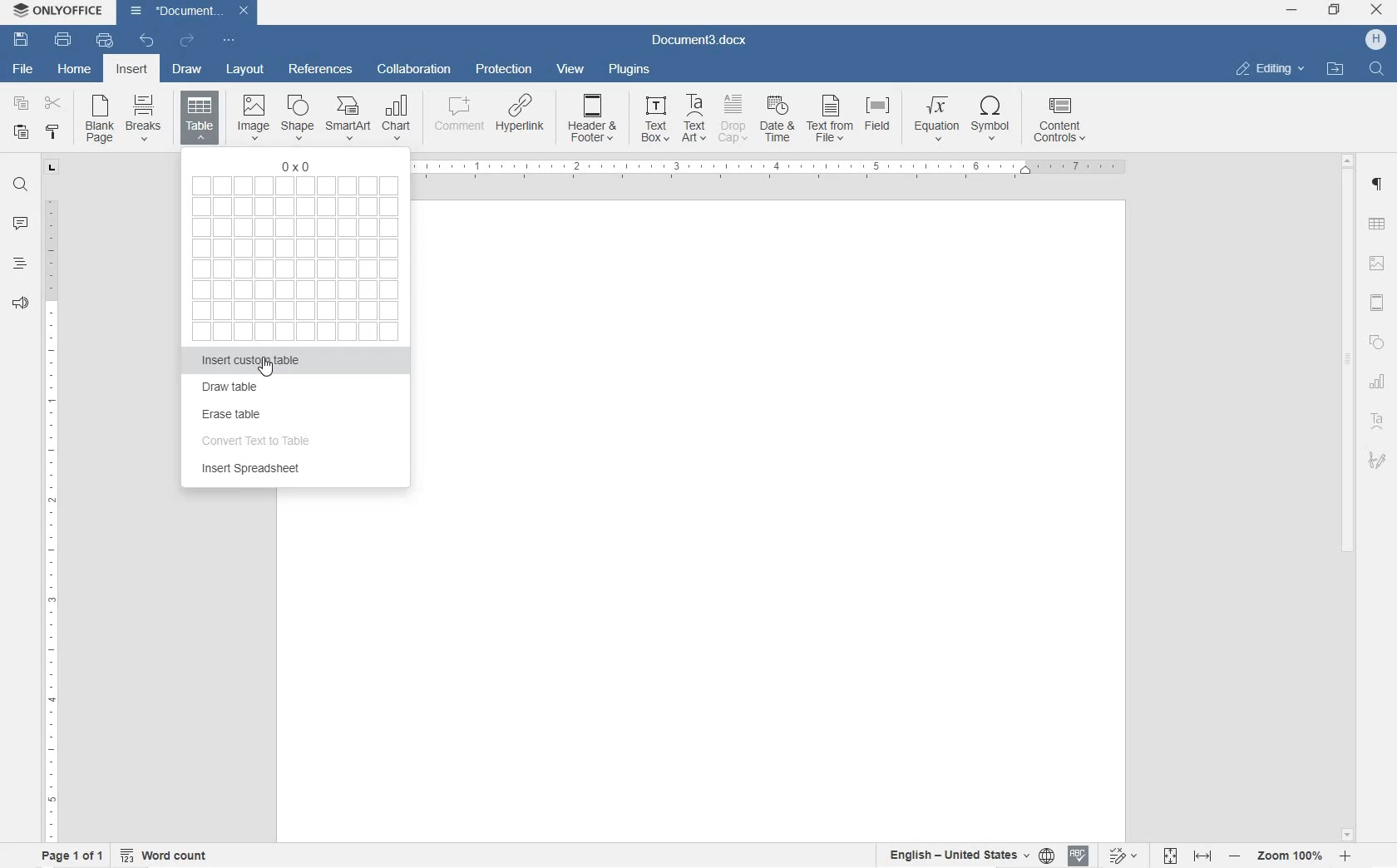 The width and height of the screenshot is (1397, 868). What do you see at coordinates (1375, 40) in the screenshot?
I see `HP` at bounding box center [1375, 40].